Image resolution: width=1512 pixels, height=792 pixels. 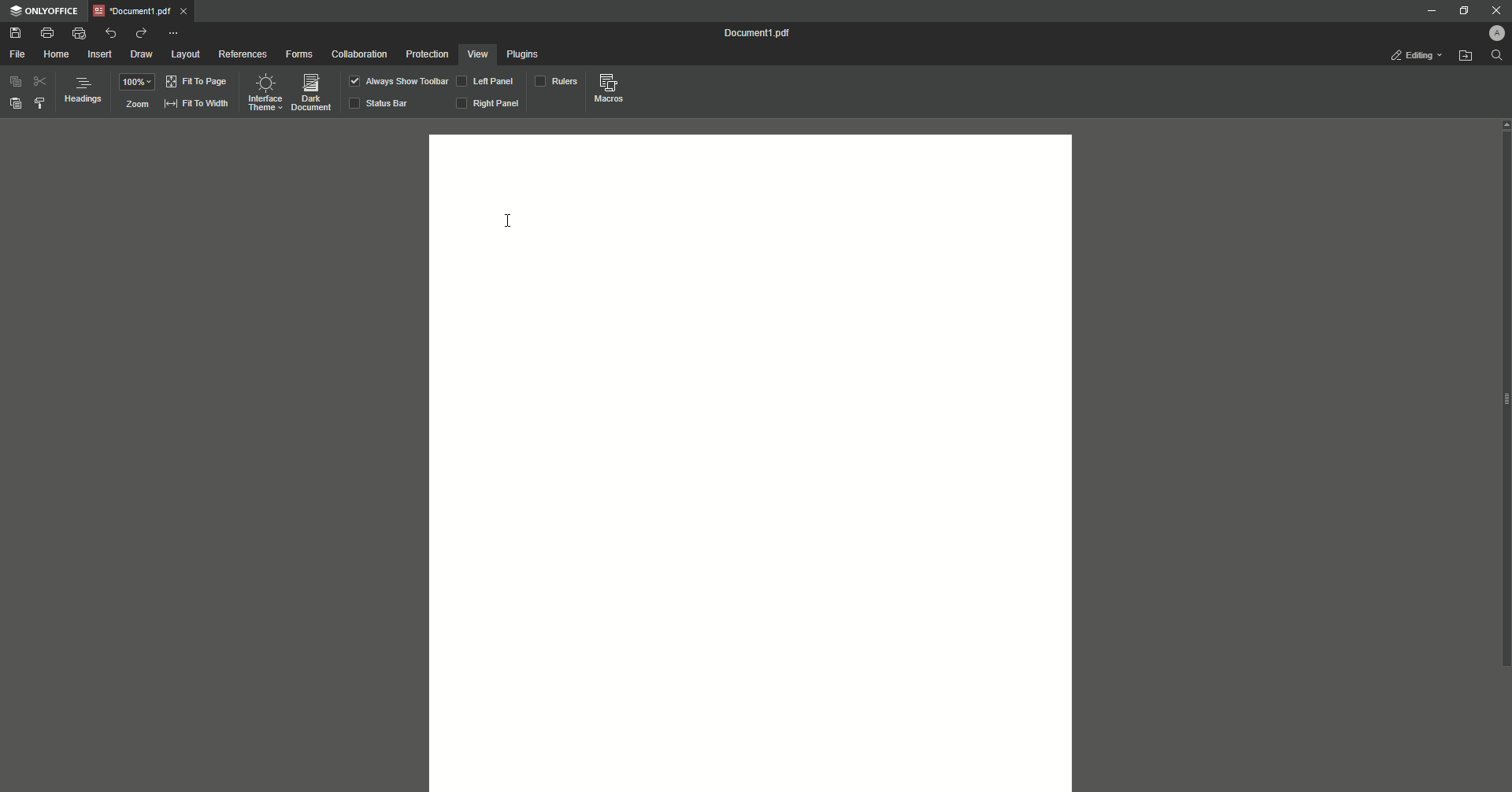 I want to click on Zoom, so click(x=136, y=104).